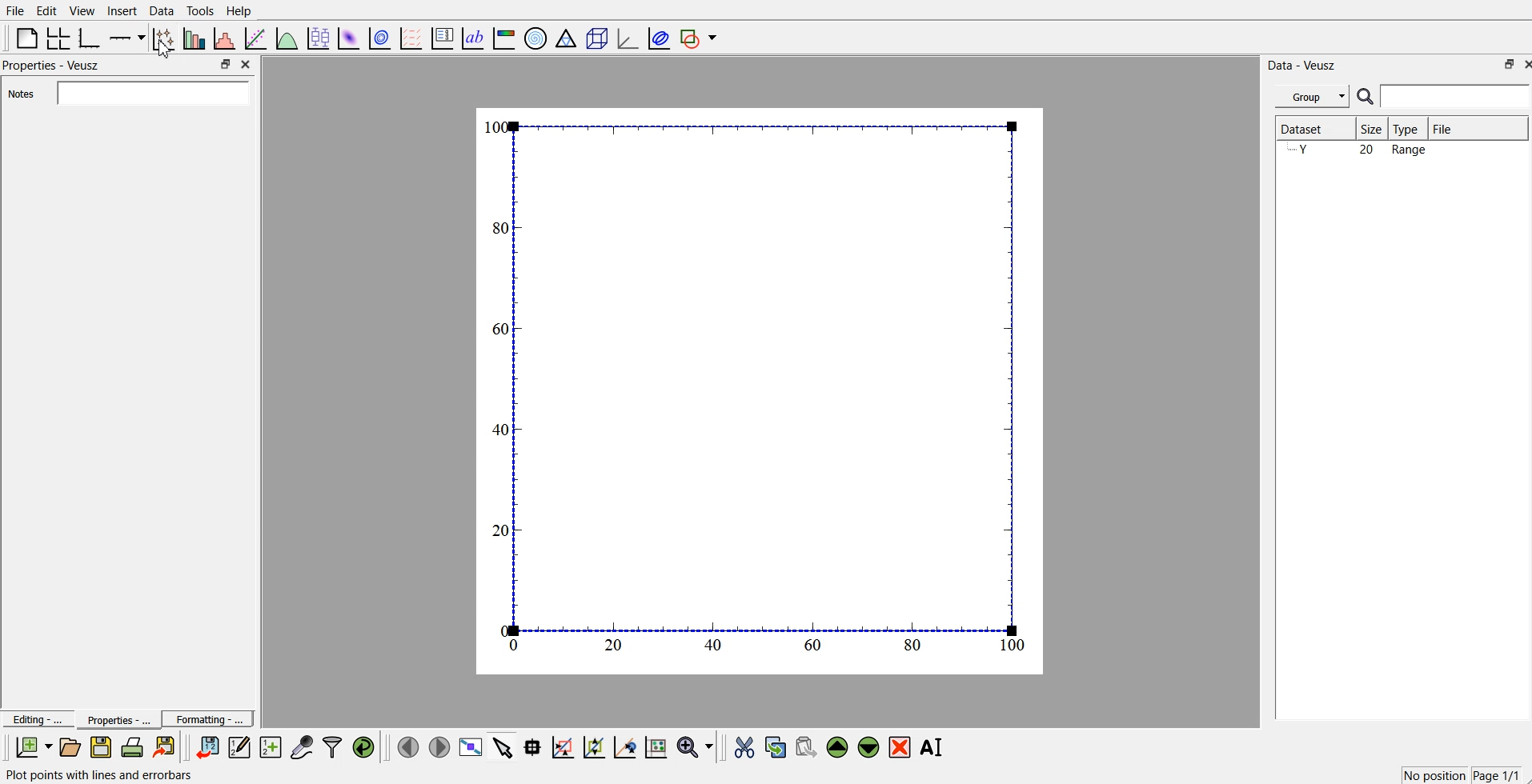 This screenshot has height=784, width=1532. Describe the element at coordinates (1362, 151) in the screenshot. I see `y 20 range` at that location.